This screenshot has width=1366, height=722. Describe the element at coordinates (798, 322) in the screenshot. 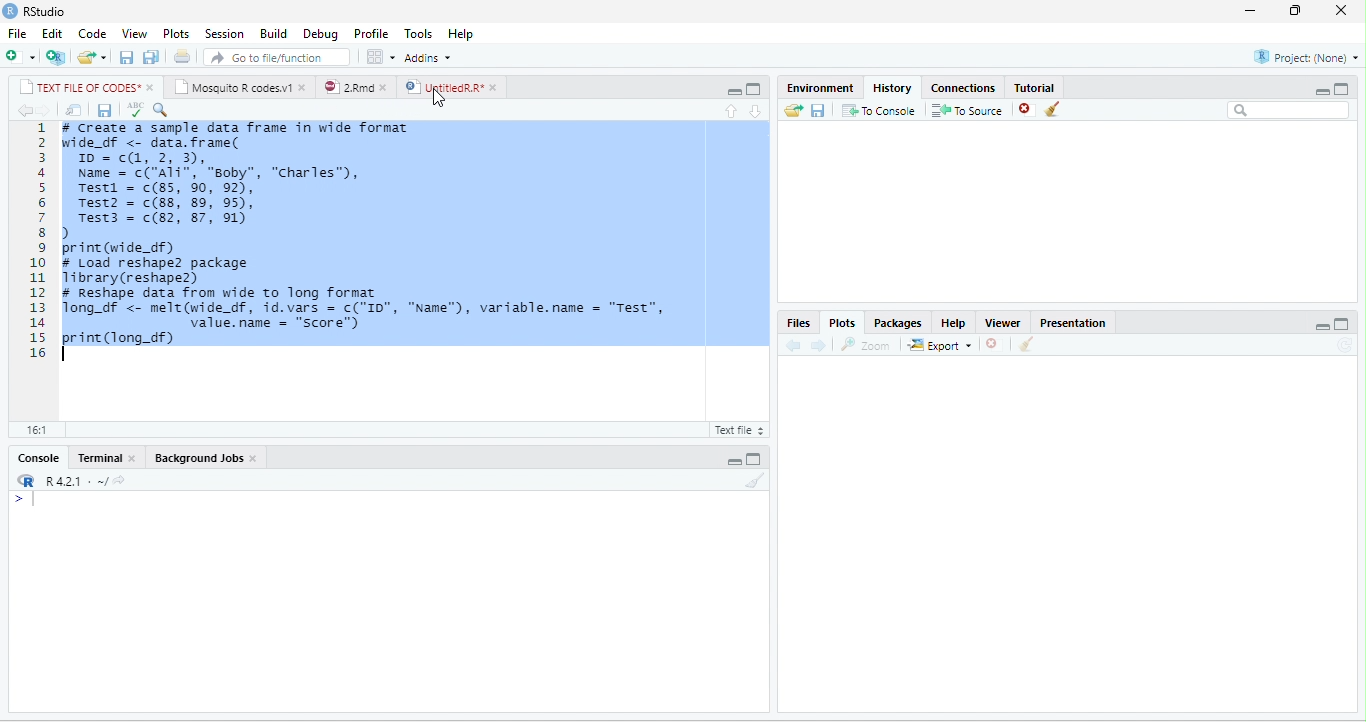

I see `Files` at that location.